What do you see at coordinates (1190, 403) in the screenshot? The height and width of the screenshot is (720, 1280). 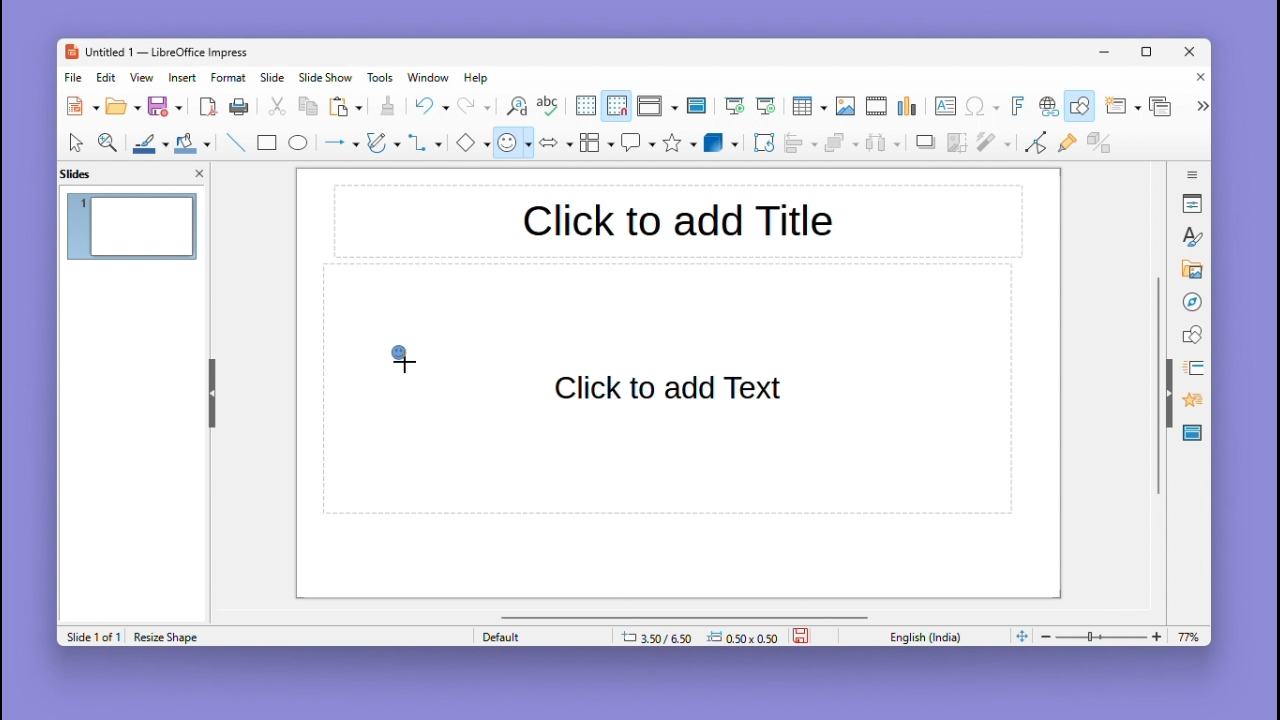 I see `Effects` at bounding box center [1190, 403].